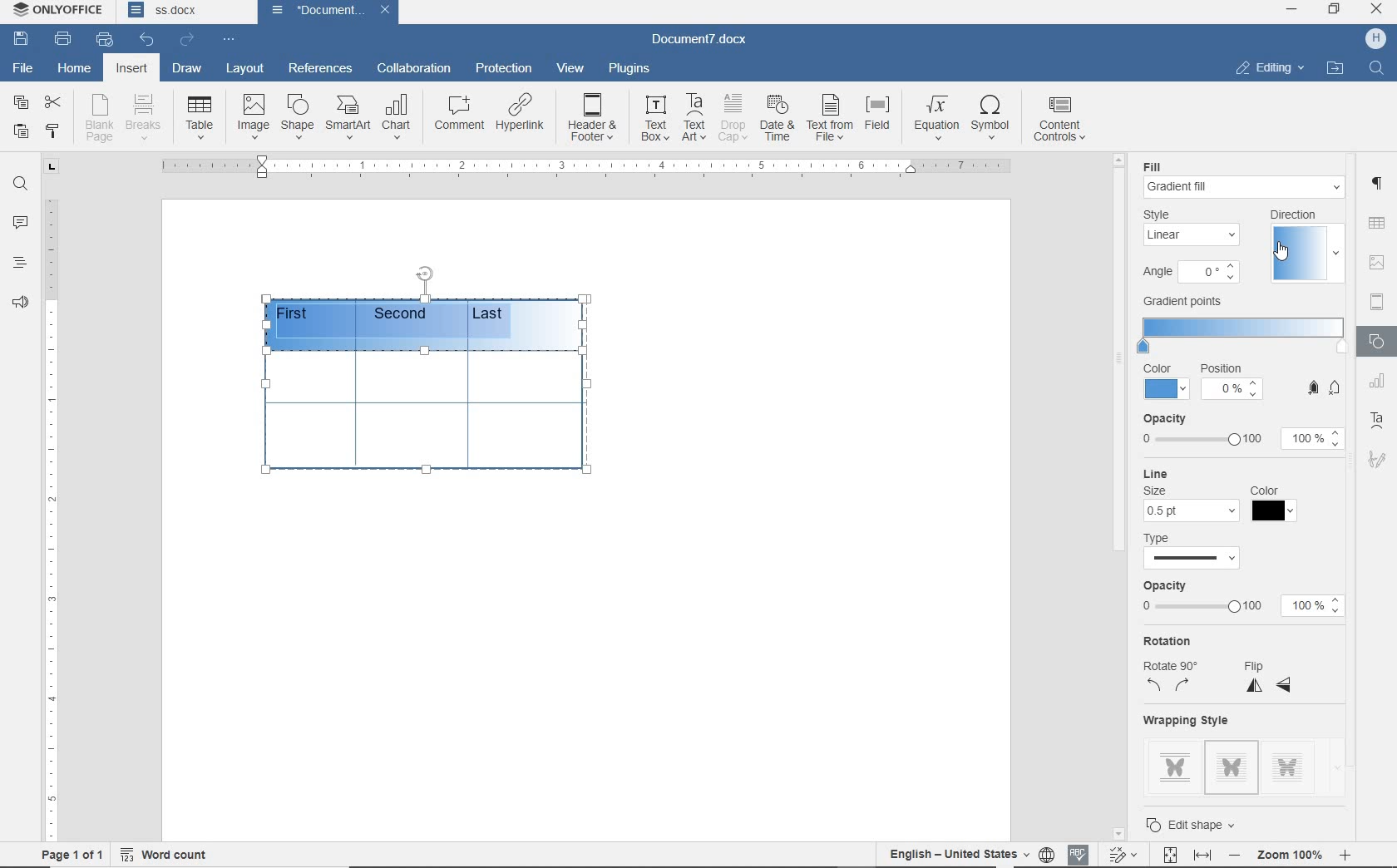 The width and height of the screenshot is (1397, 868). What do you see at coordinates (1323, 387) in the screenshot?
I see `add/remove gradient point` at bounding box center [1323, 387].